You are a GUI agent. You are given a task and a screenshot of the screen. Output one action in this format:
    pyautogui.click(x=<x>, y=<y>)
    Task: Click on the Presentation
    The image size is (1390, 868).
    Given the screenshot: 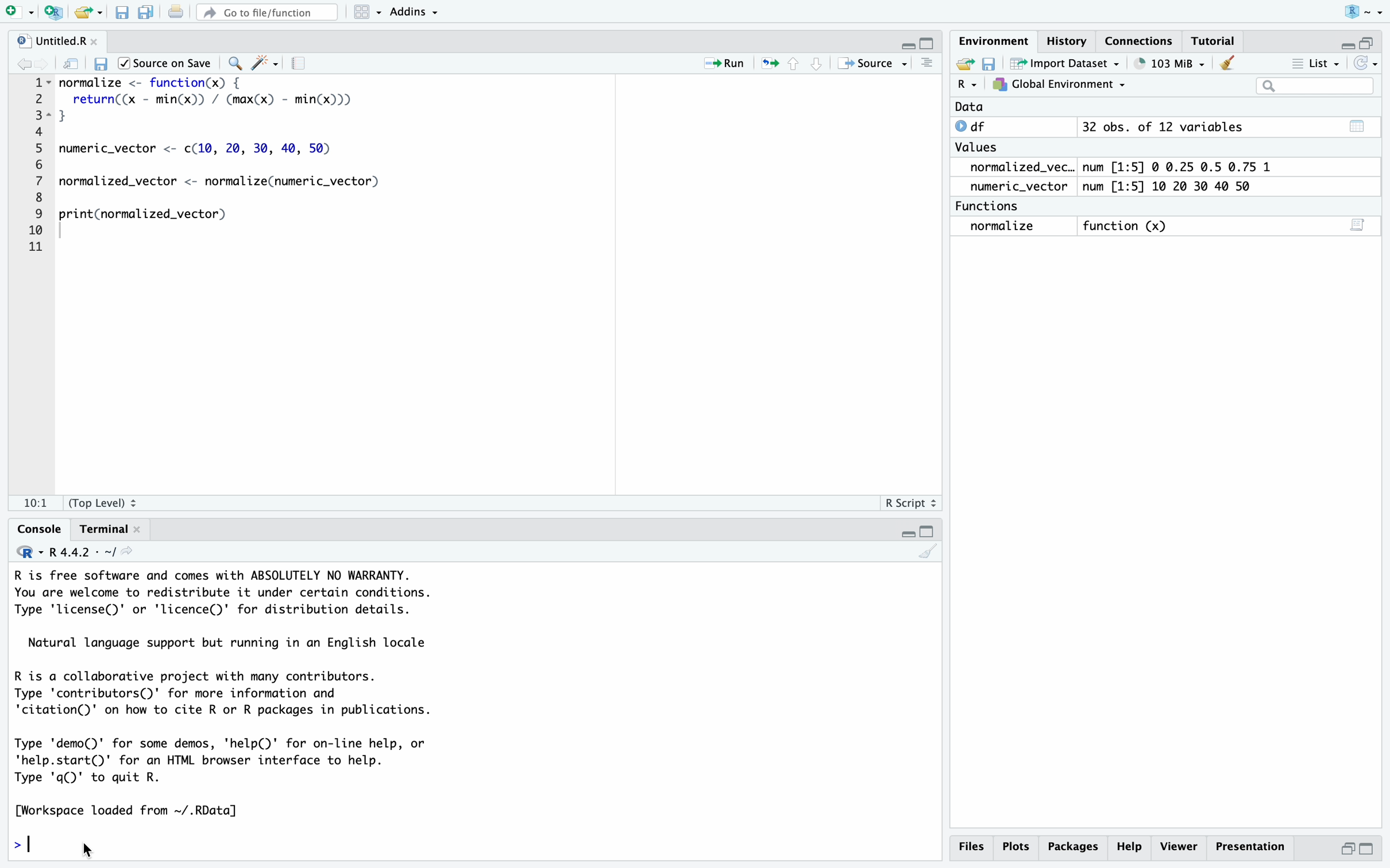 What is the action you would take?
    pyautogui.click(x=1249, y=846)
    